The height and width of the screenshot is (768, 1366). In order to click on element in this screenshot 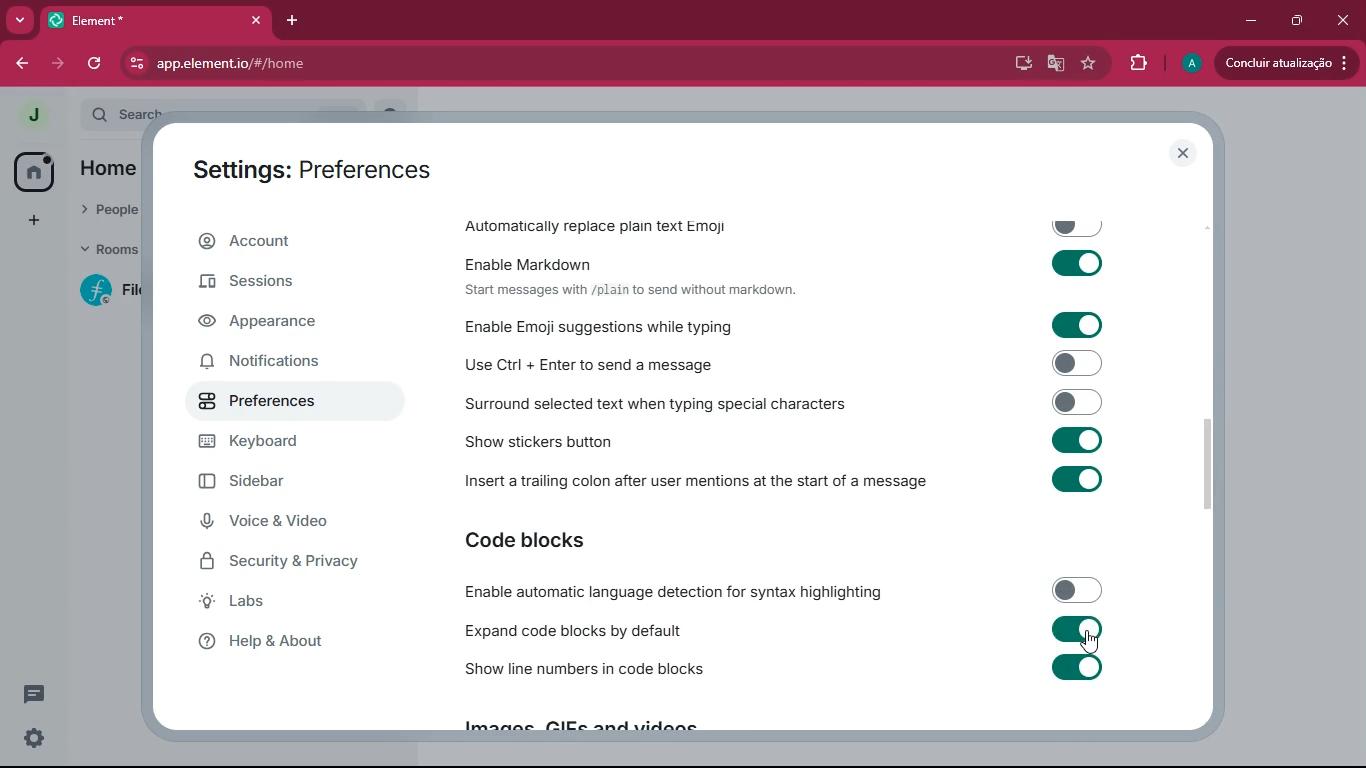, I will do `click(155, 18)`.